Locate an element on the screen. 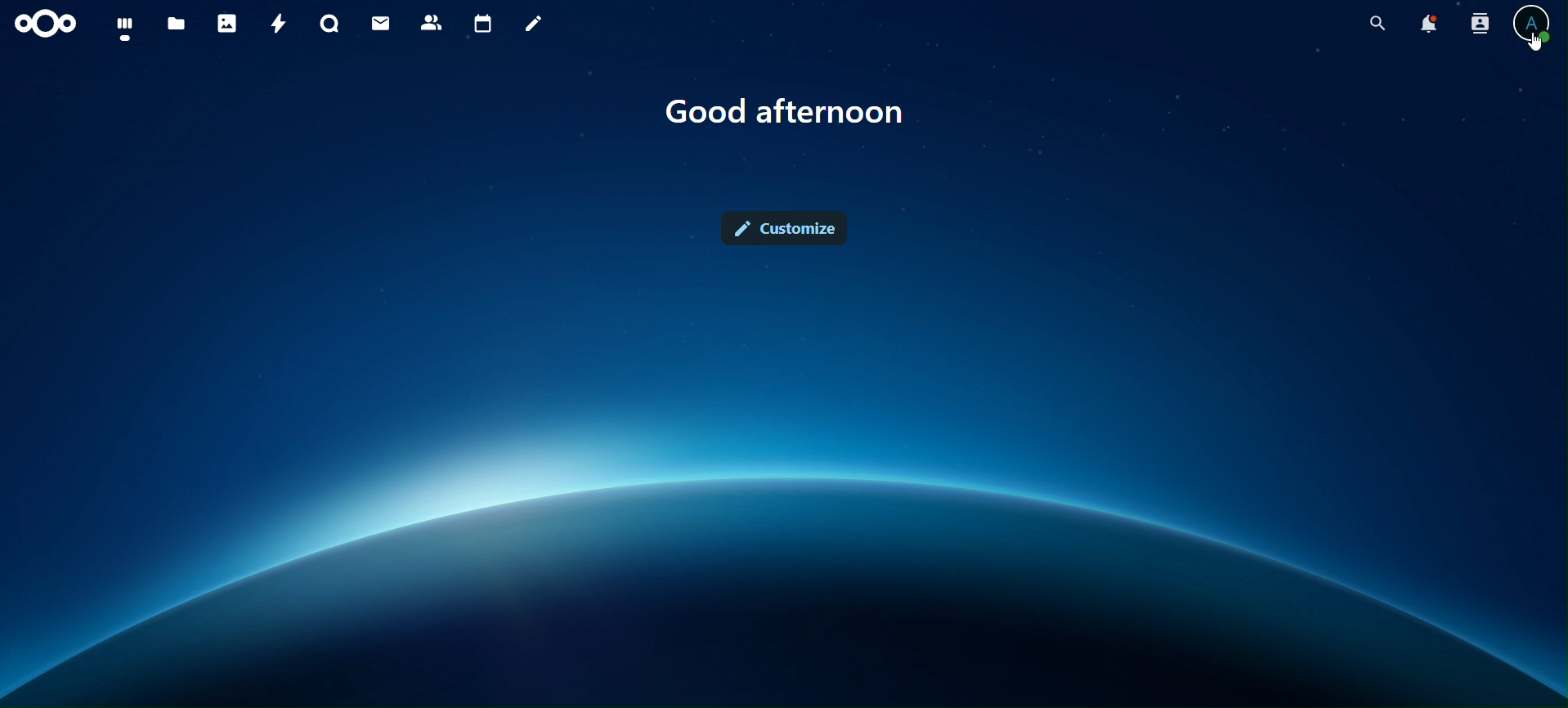 This screenshot has height=708, width=1568. notifications is located at coordinates (1428, 26).